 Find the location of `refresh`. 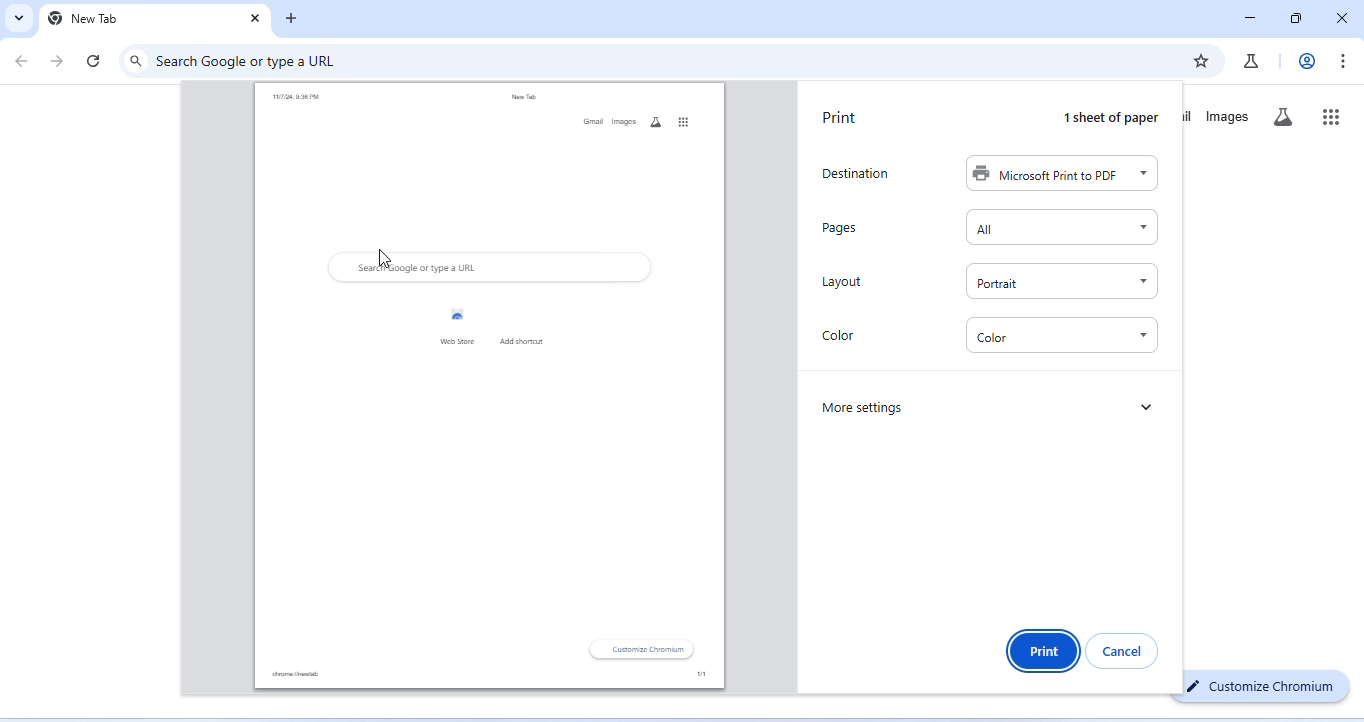

refresh is located at coordinates (95, 60).